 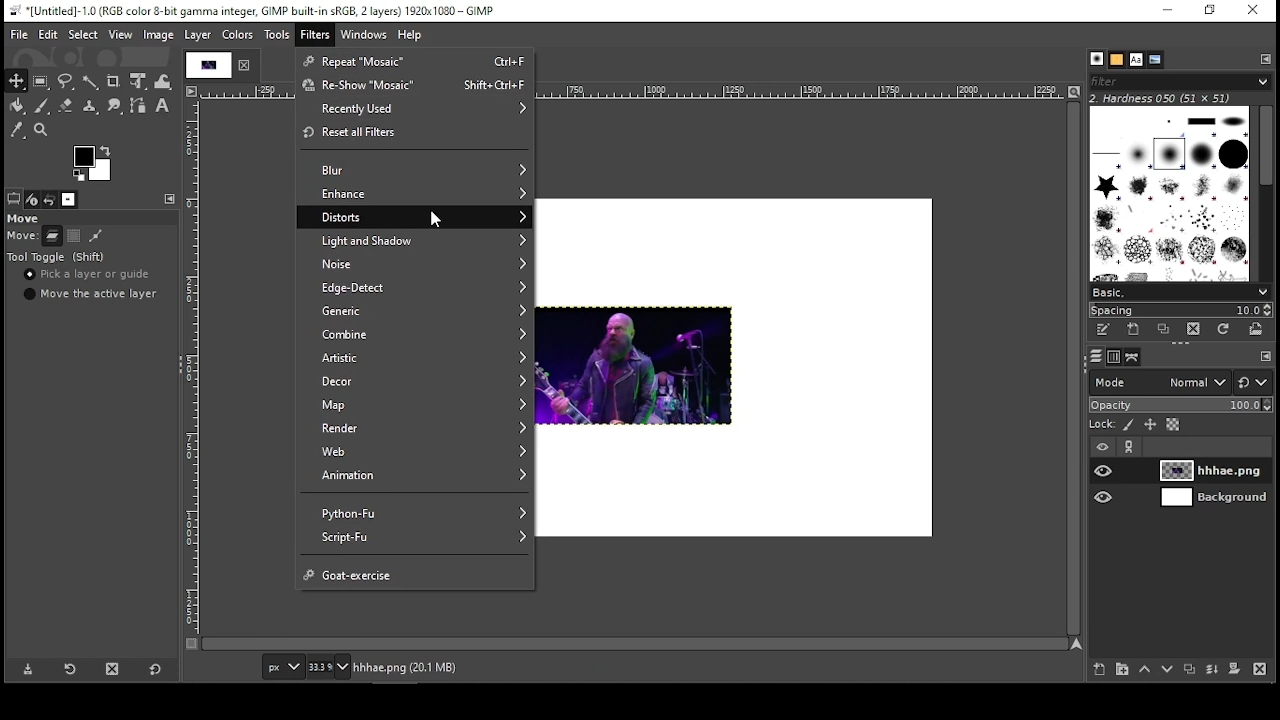 What do you see at coordinates (1181, 405) in the screenshot?
I see `opacity` at bounding box center [1181, 405].